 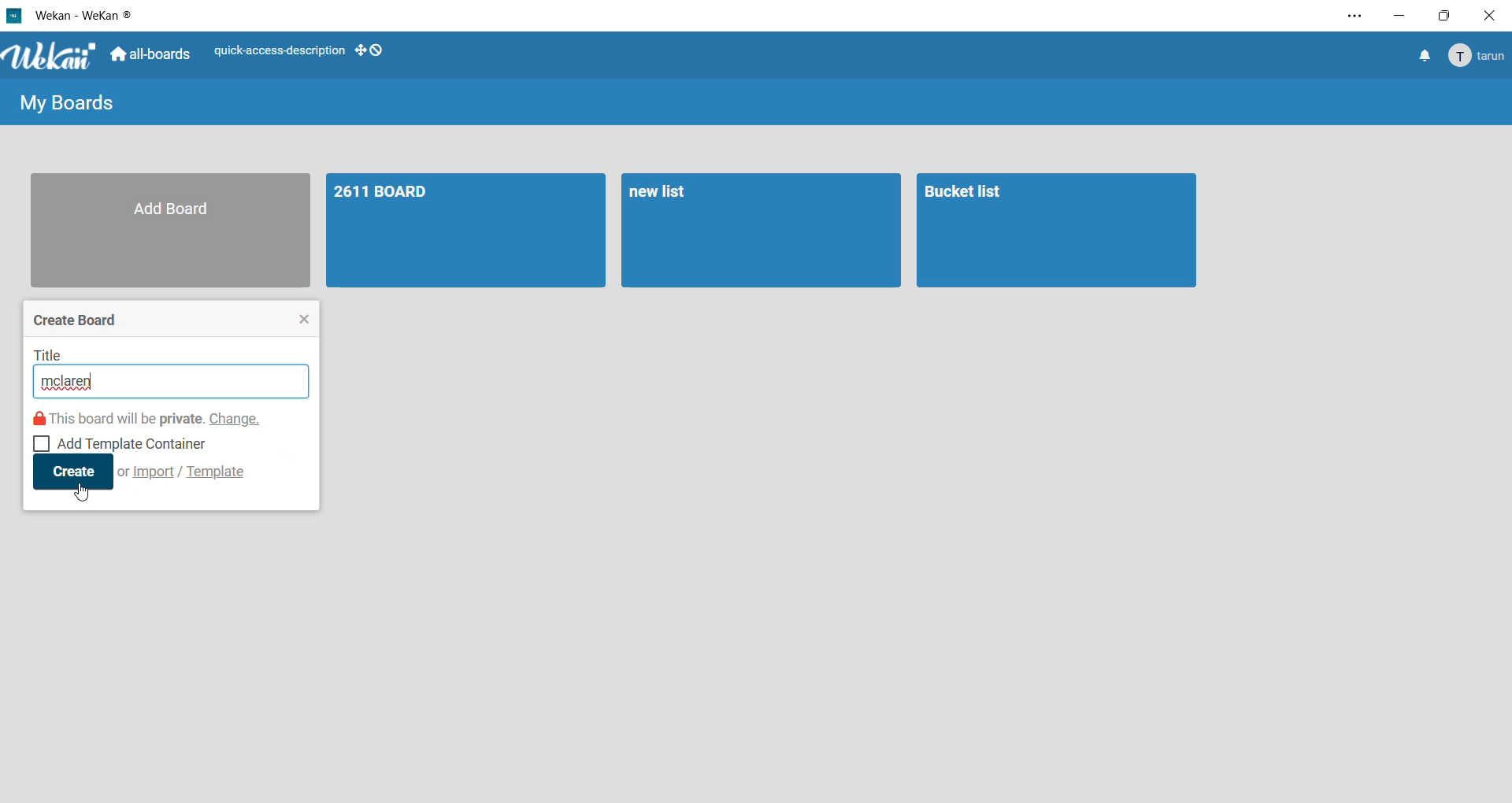 I want to click on WeKan, so click(x=49, y=56).